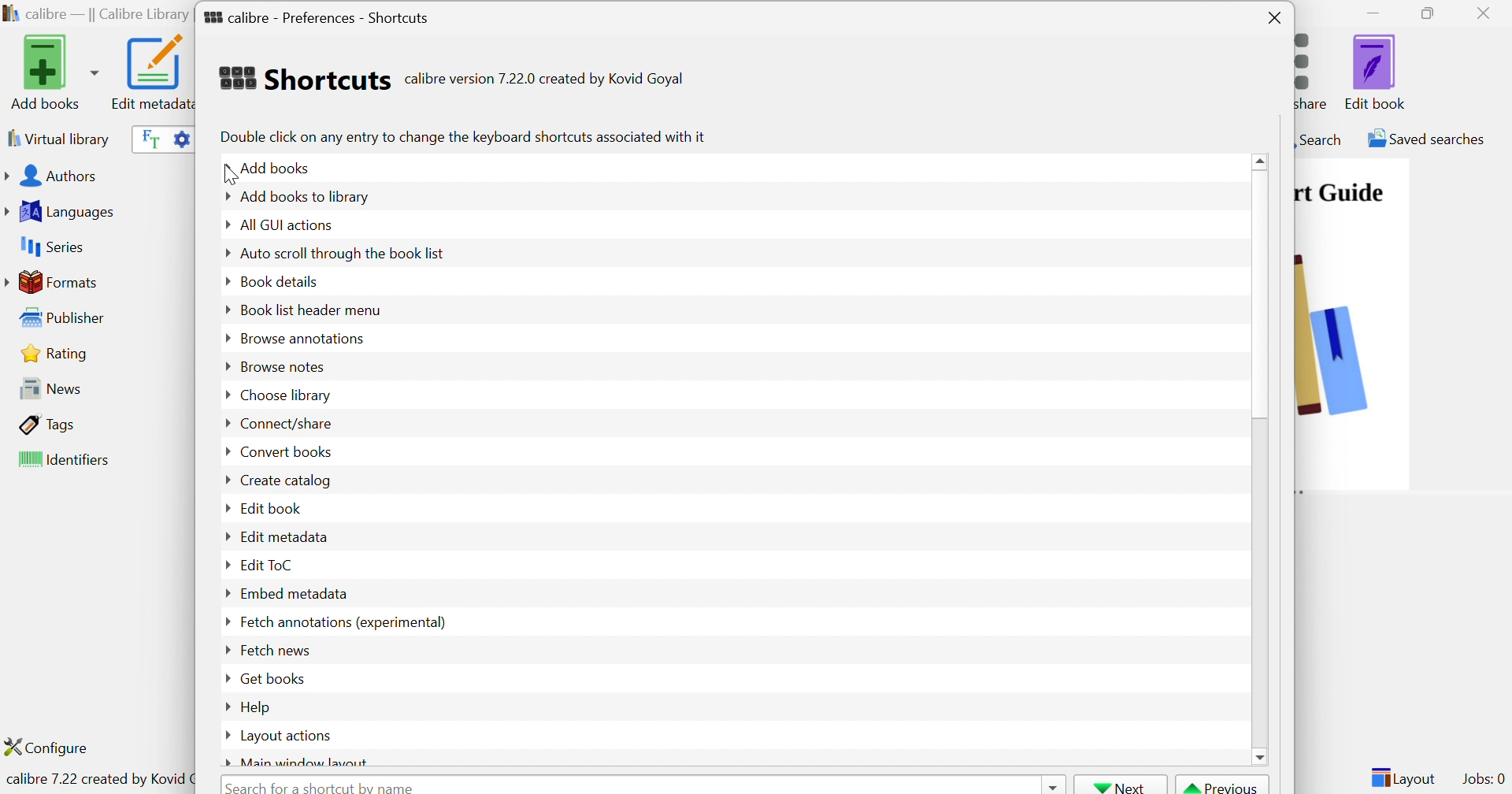 This screenshot has height=794, width=1512. Describe the element at coordinates (1340, 192) in the screenshot. I see `Quick Start Guide` at that location.